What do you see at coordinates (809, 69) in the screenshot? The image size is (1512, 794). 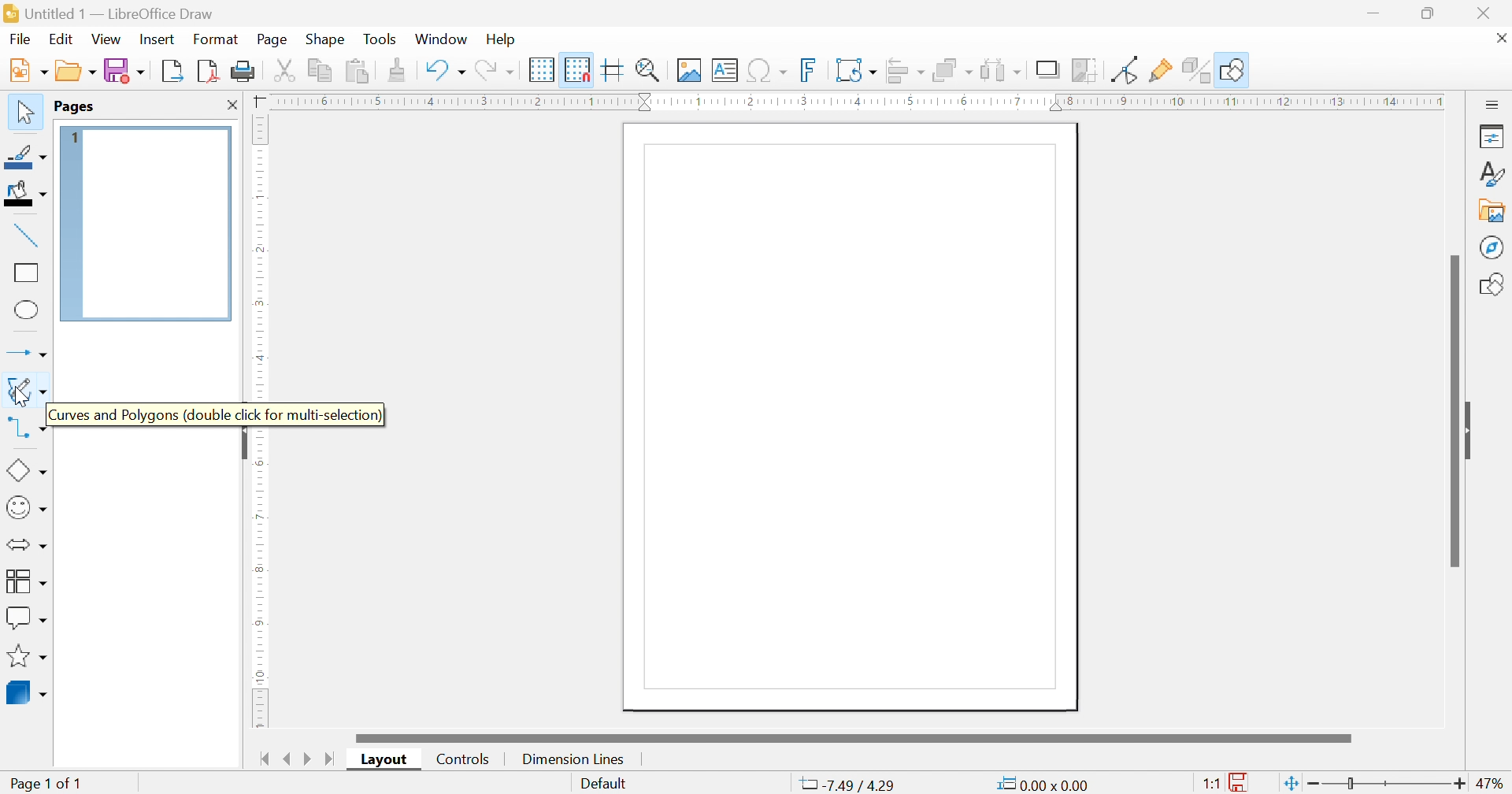 I see `insert fontwork text` at bounding box center [809, 69].